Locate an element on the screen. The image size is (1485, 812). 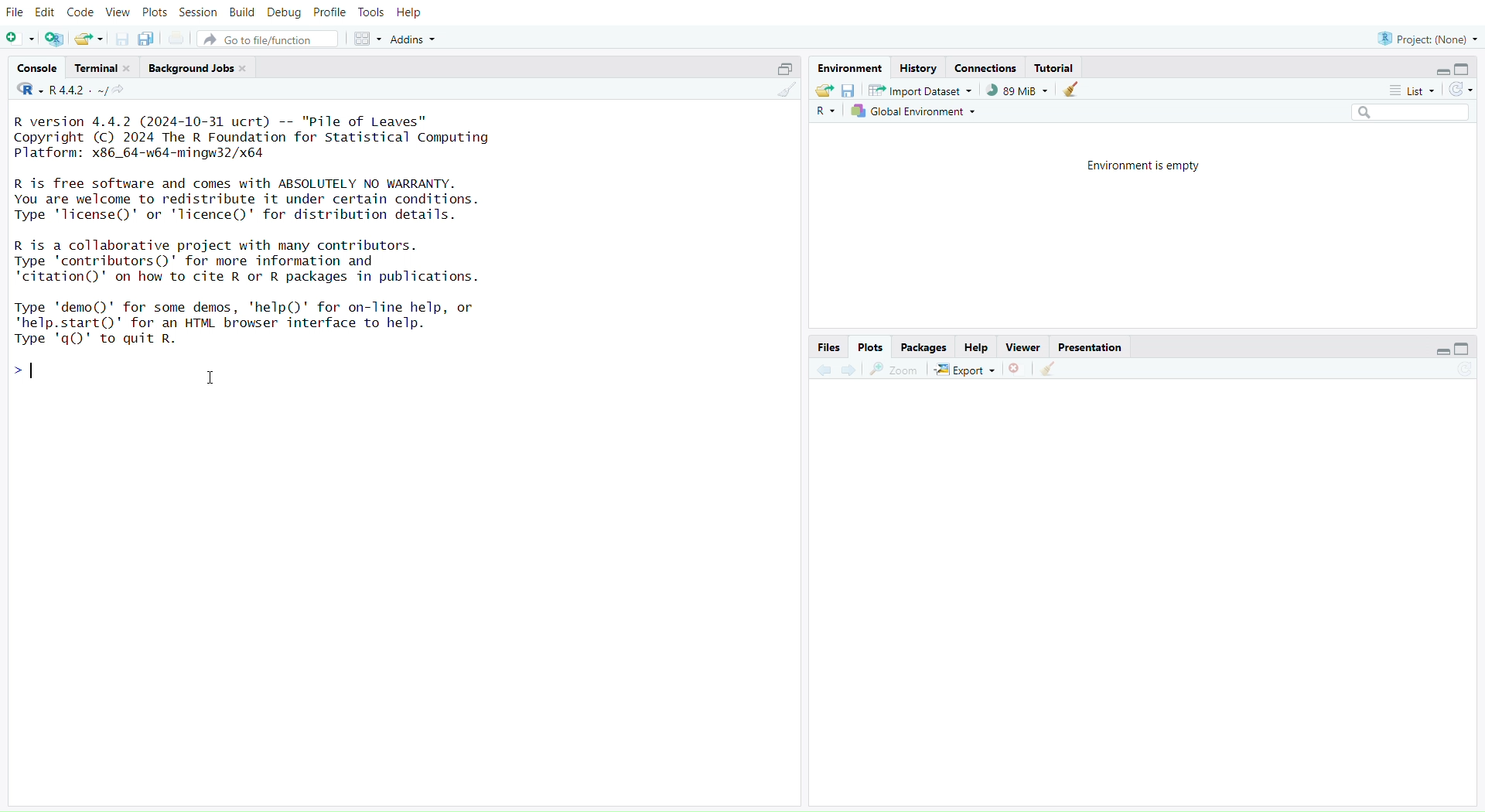
Import dataset is located at coordinates (921, 92).